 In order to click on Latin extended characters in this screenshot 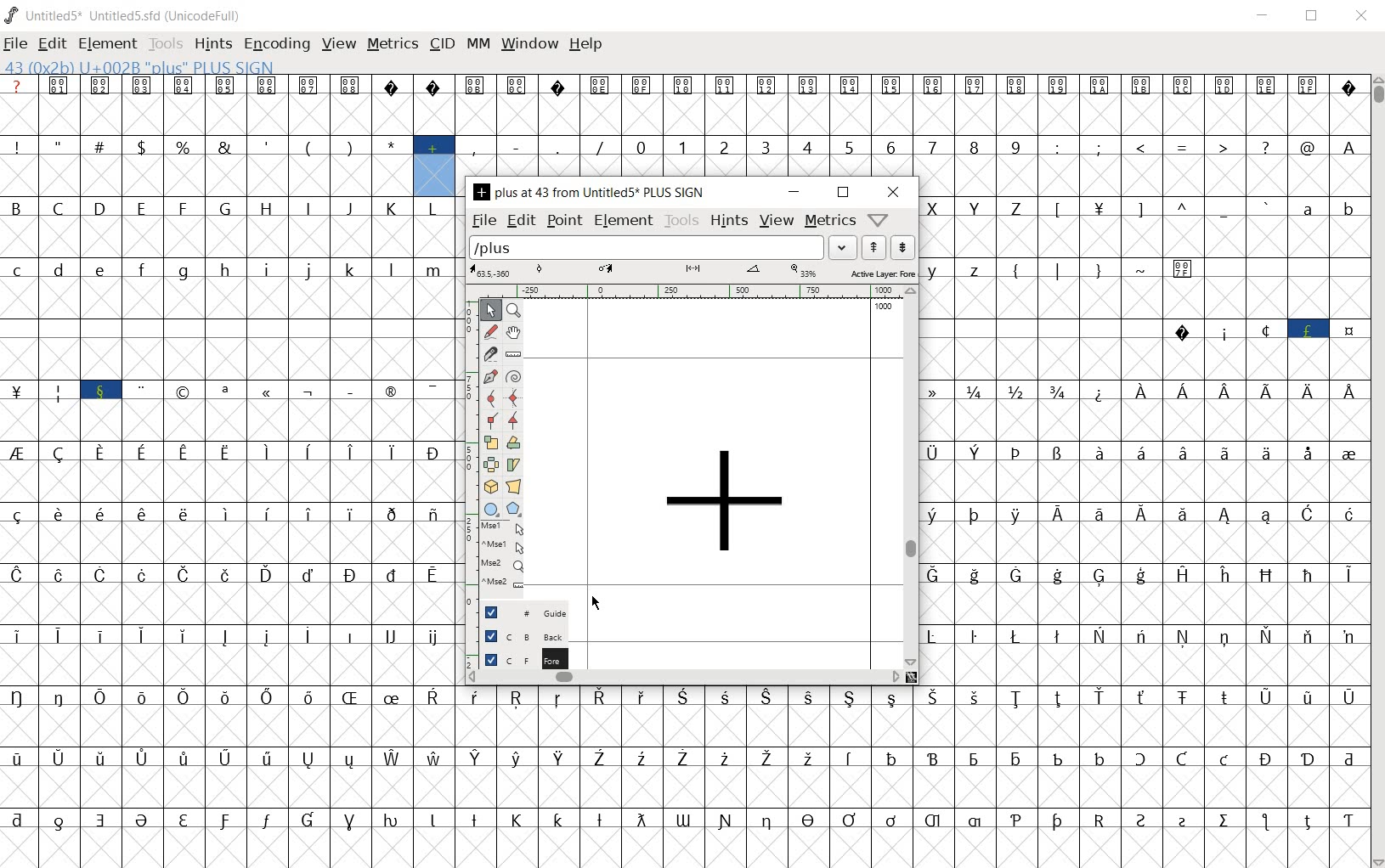, I will do `click(248, 531)`.